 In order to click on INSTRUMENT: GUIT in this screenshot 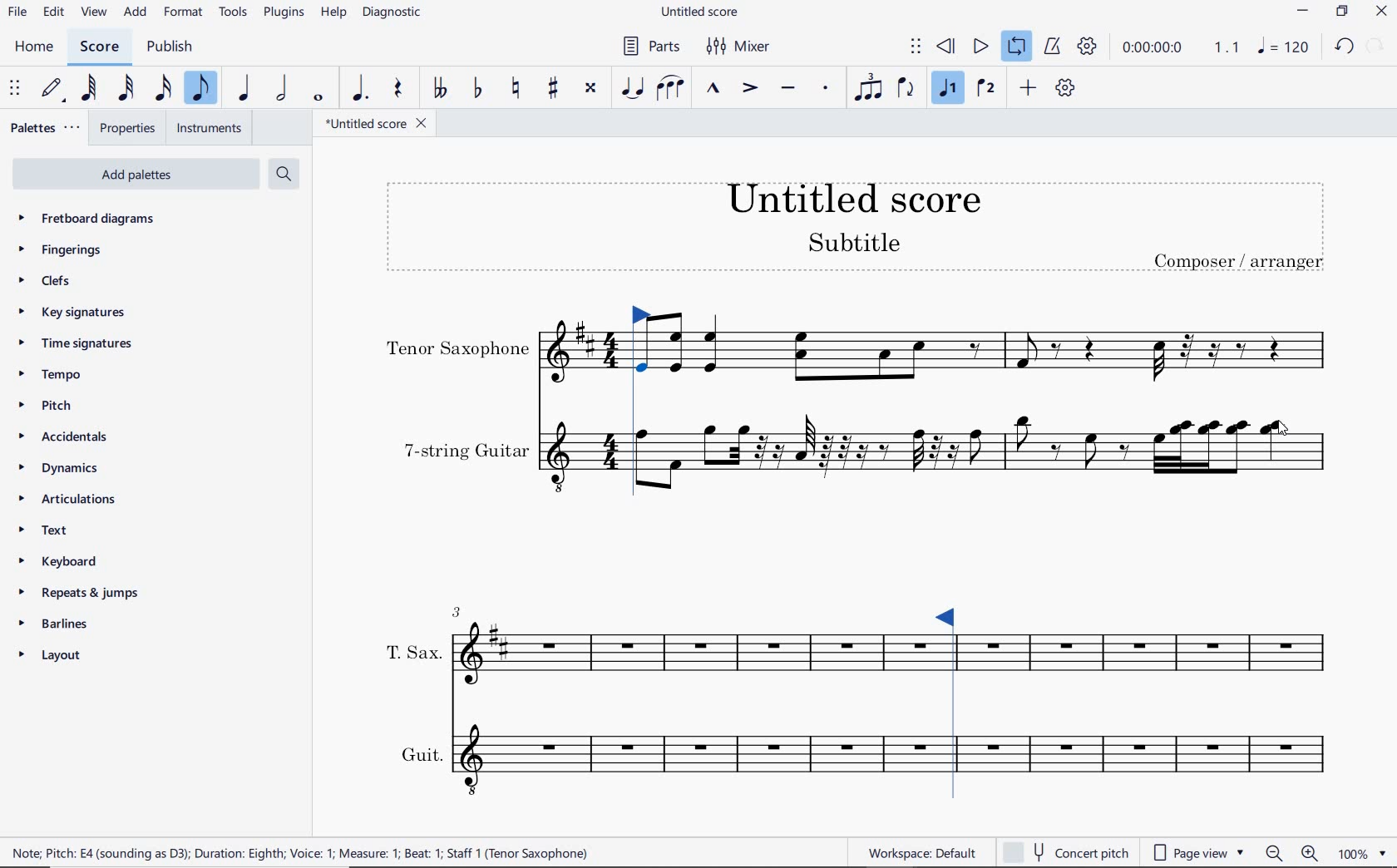, I will do `click(639, 757)`.